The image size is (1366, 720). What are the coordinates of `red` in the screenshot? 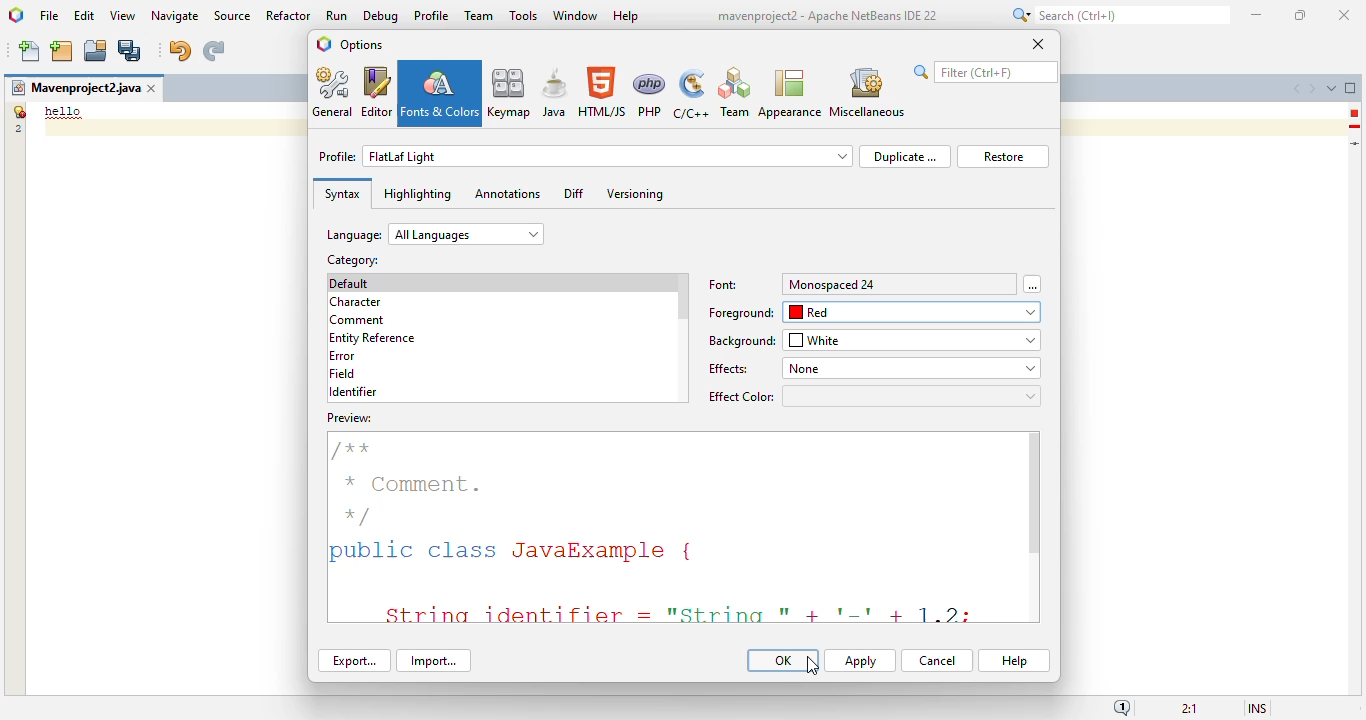 It's located at (914, 312).